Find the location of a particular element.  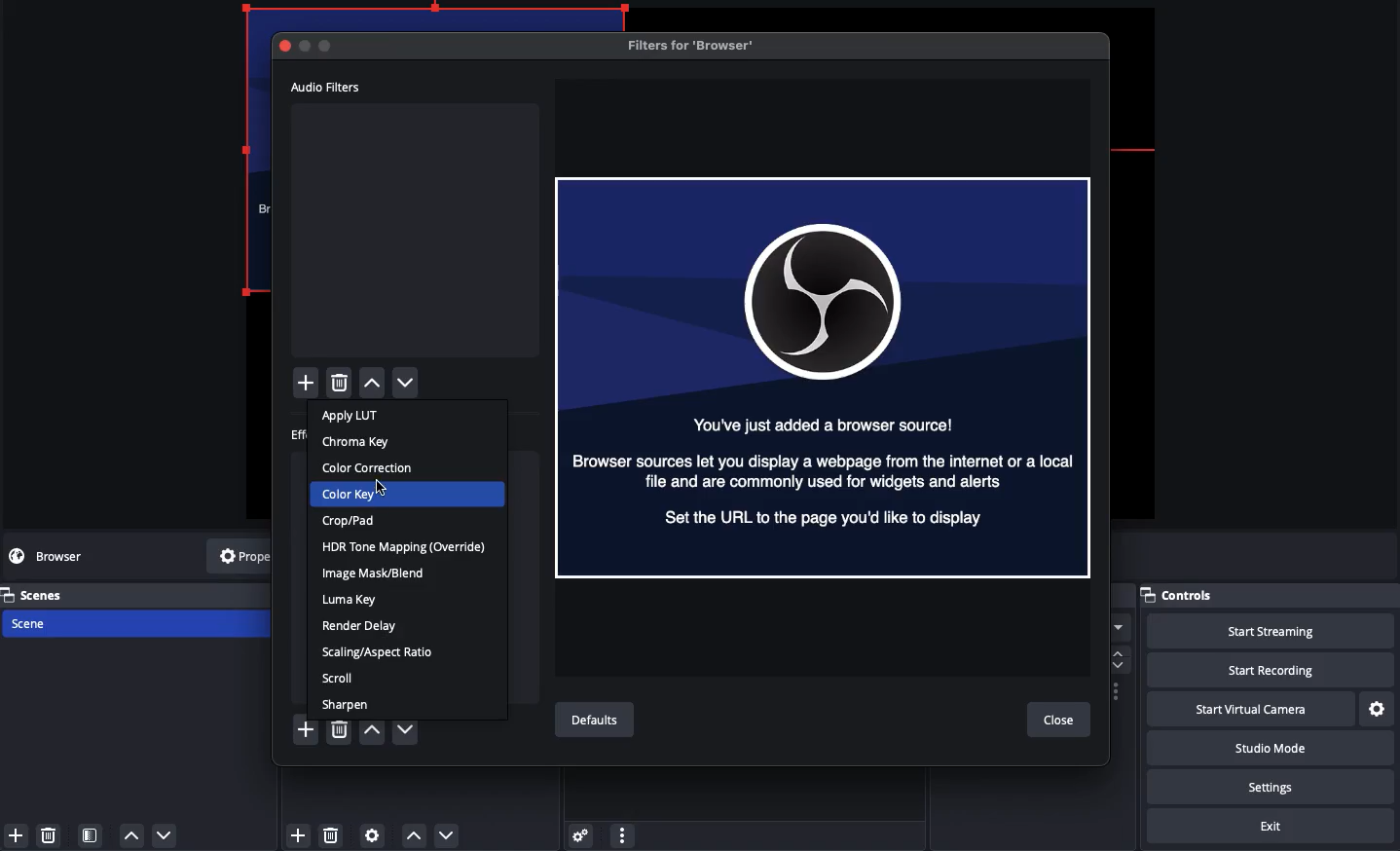

Start virtual camera is located at coordinates (1248, 710).